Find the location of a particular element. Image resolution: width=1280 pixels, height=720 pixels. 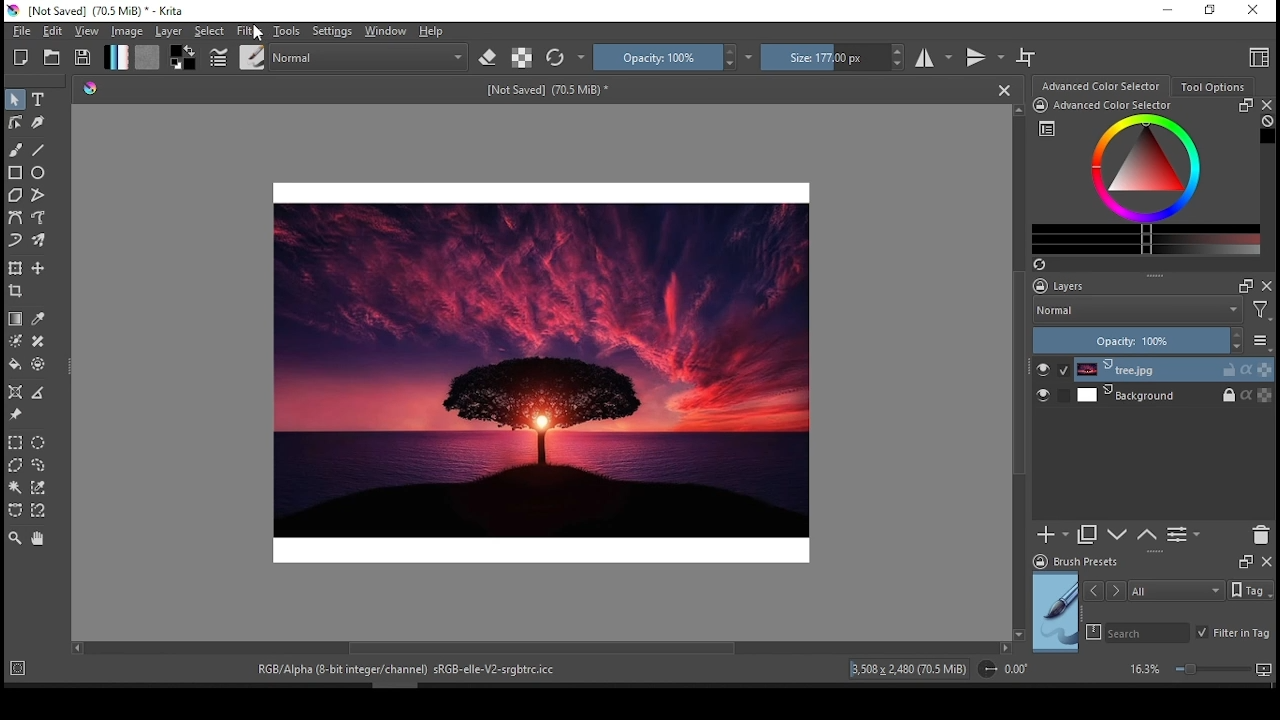

rotation is located at coordinates (1004, 670).